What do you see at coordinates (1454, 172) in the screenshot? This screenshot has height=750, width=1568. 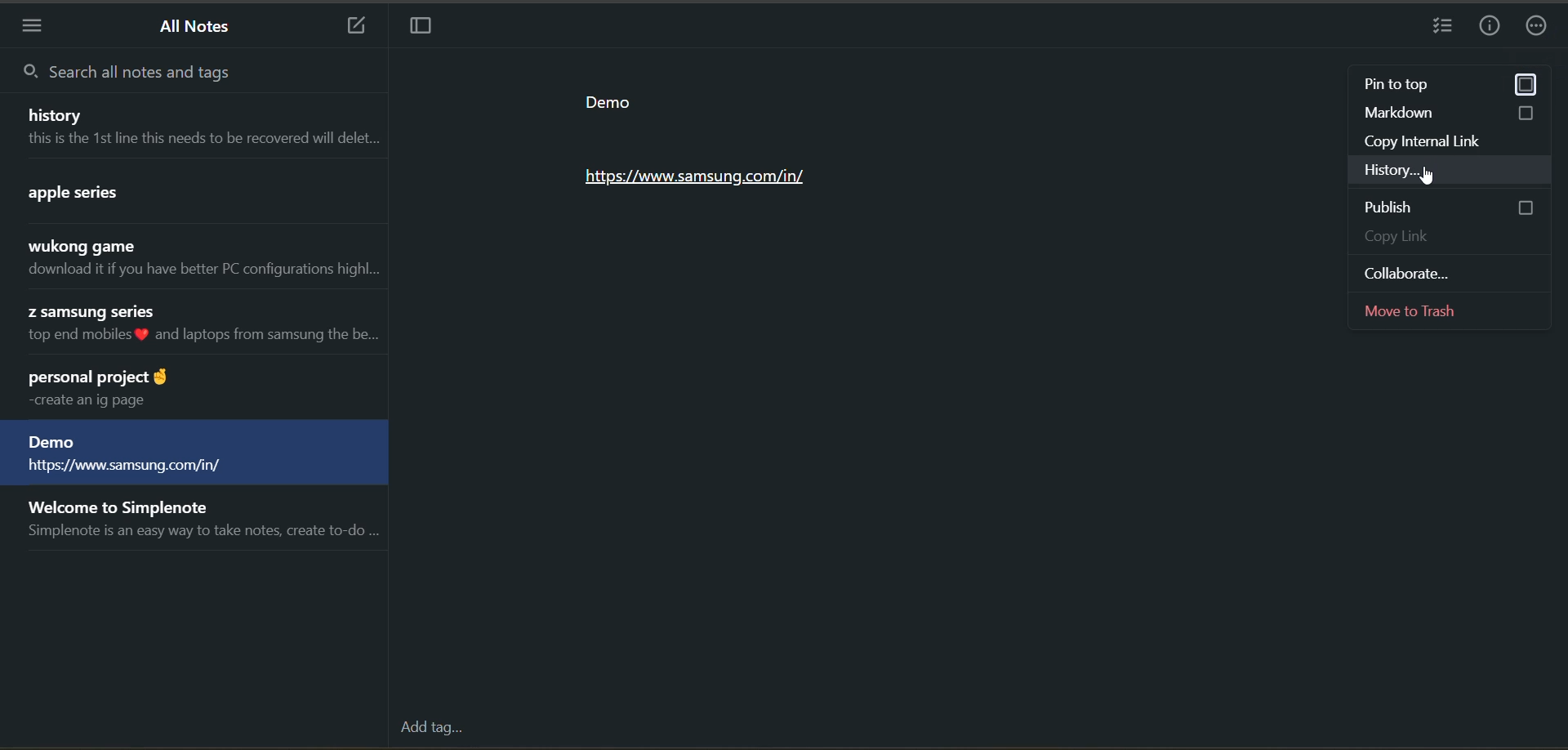 I see `history` at bounding box center [1454, 172].